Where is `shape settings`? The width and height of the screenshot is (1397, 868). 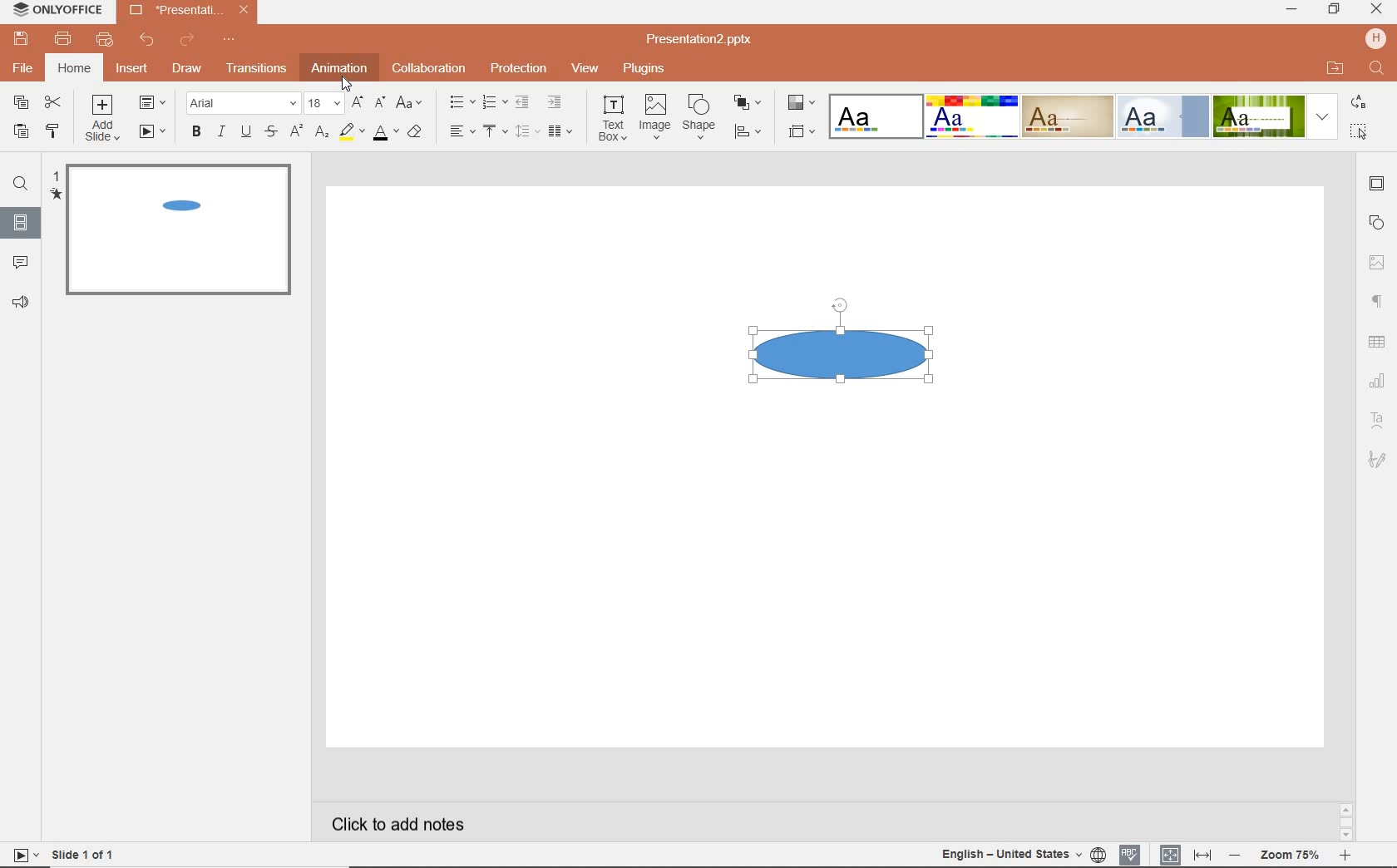 shape settings is located at coordinates (1376, 223).